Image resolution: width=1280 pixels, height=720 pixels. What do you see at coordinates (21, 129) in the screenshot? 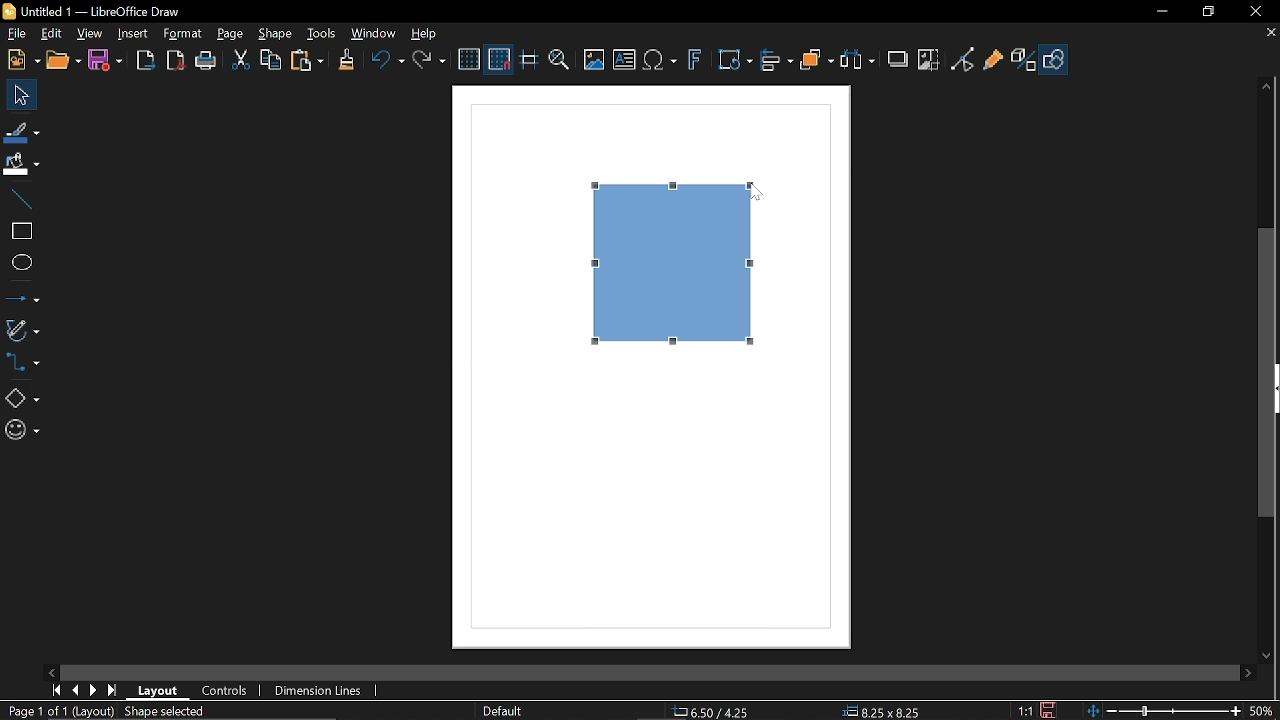
I see `Line color` at bounding box center [21, 129].